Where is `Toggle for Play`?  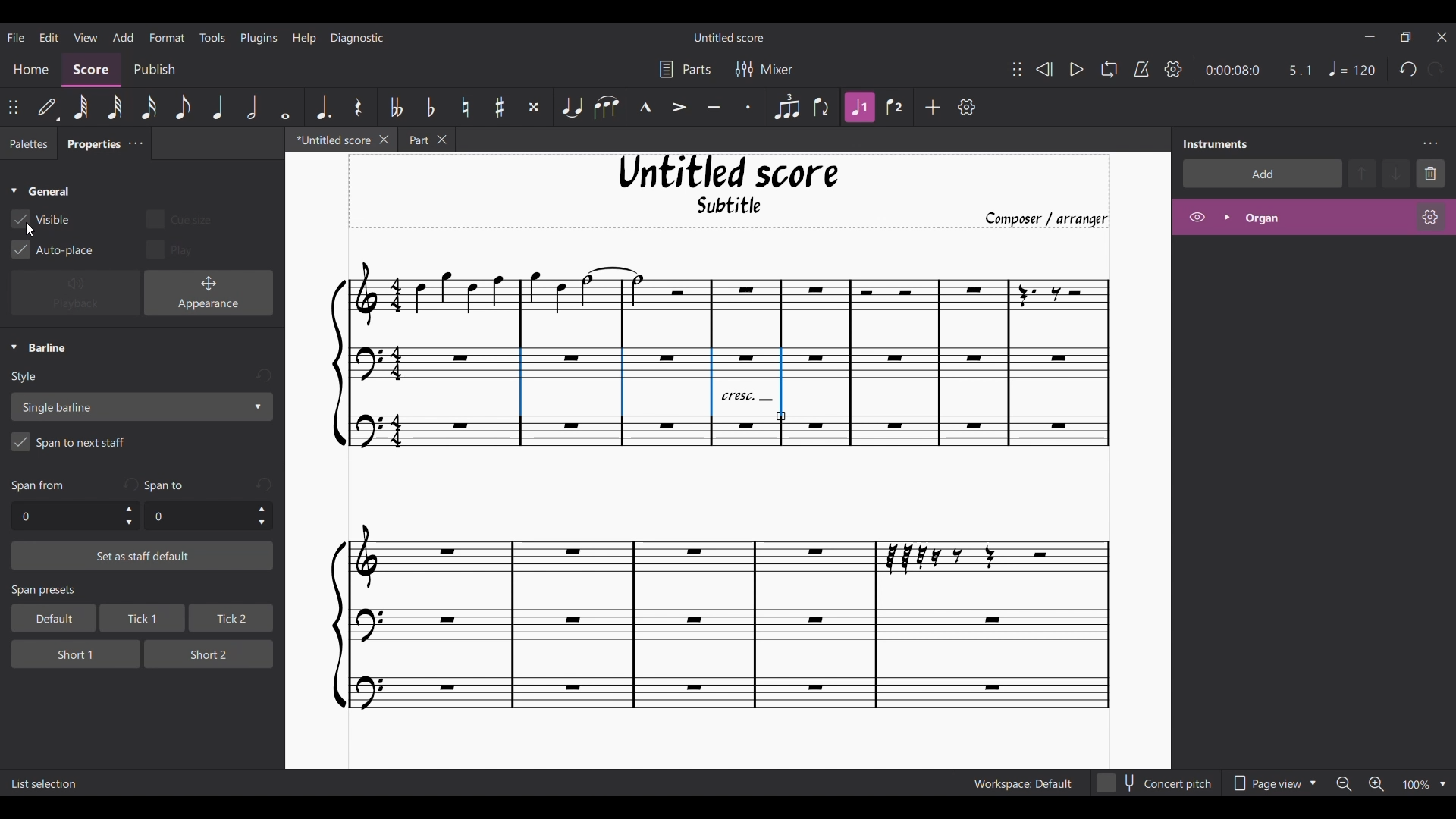
Toggle for Play is located at coordinates (171, 249).